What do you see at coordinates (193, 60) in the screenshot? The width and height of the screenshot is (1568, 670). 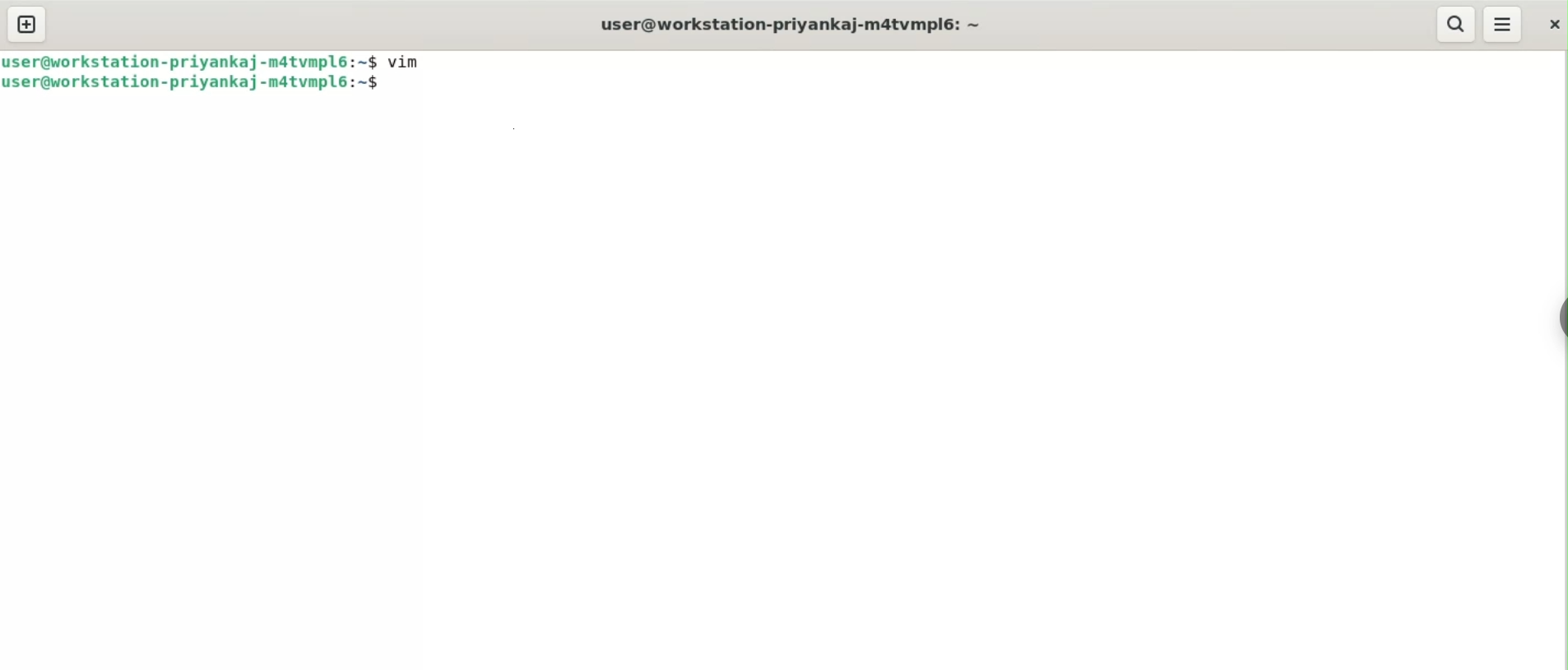 I see `user@workstation-priyankaj-m4tvmpl6: ~$` at bounding box center [193, 60].